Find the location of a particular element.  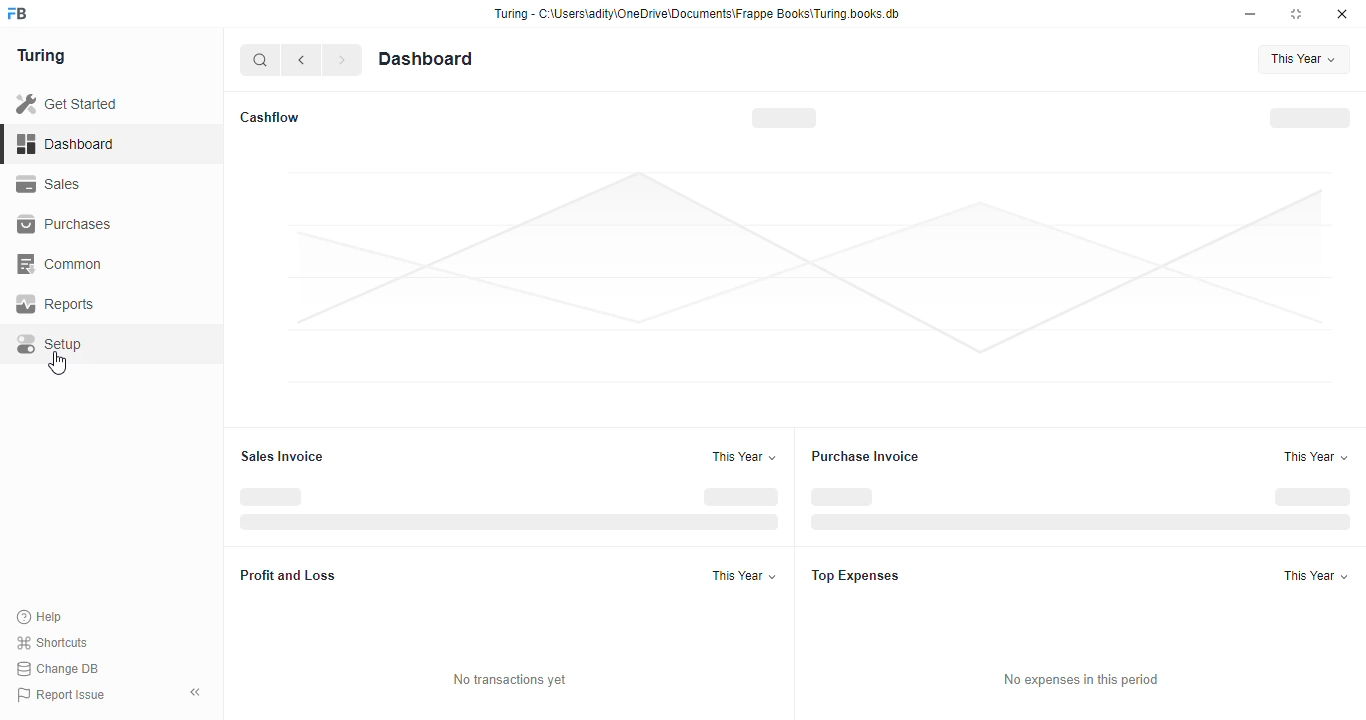

No expenses in this period is located at coordinates (1084, 682).